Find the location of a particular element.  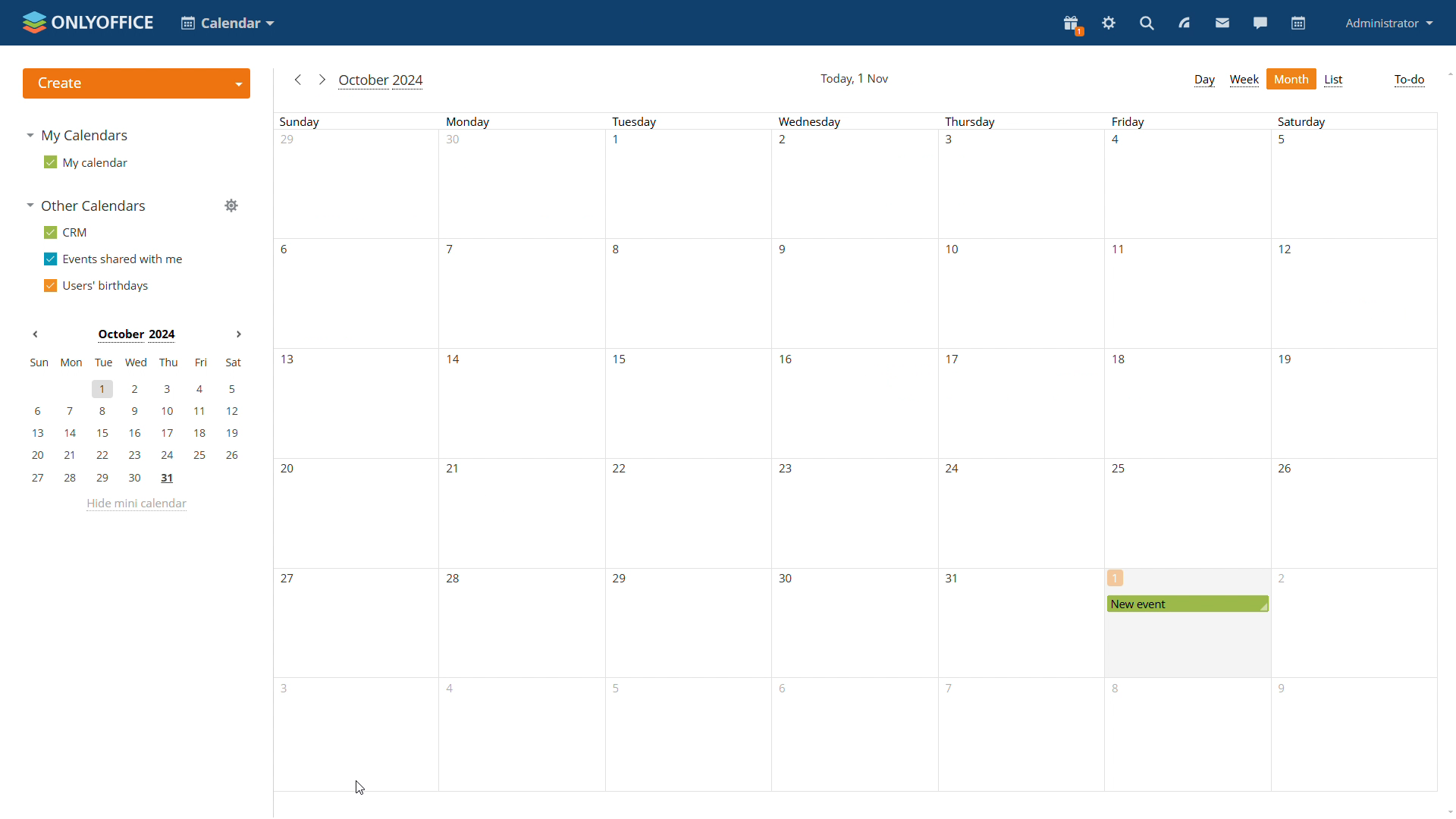

list view  is located at coordinates (1335, 80).